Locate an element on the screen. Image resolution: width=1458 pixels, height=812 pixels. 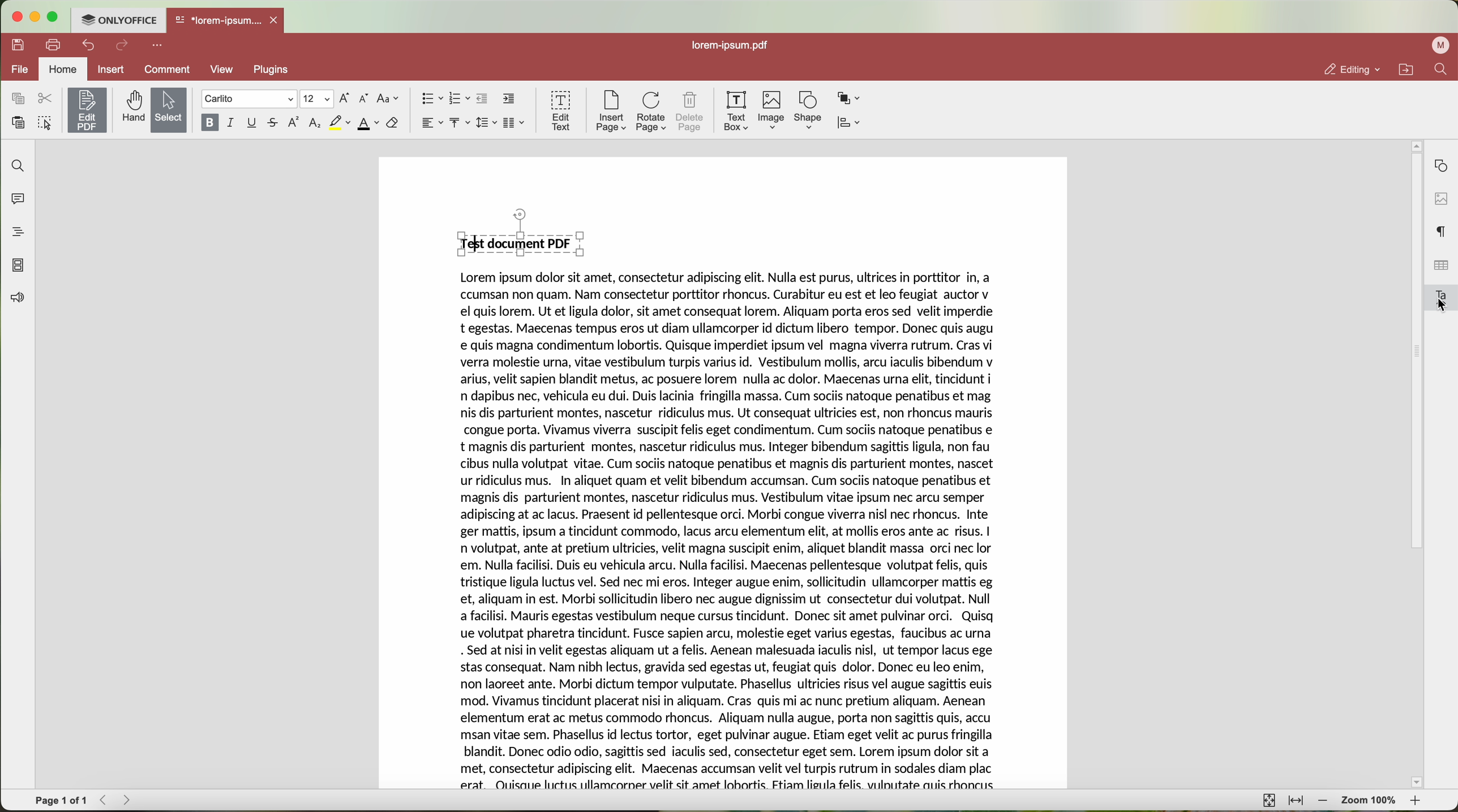
size font is located at coordinates (315, 99).